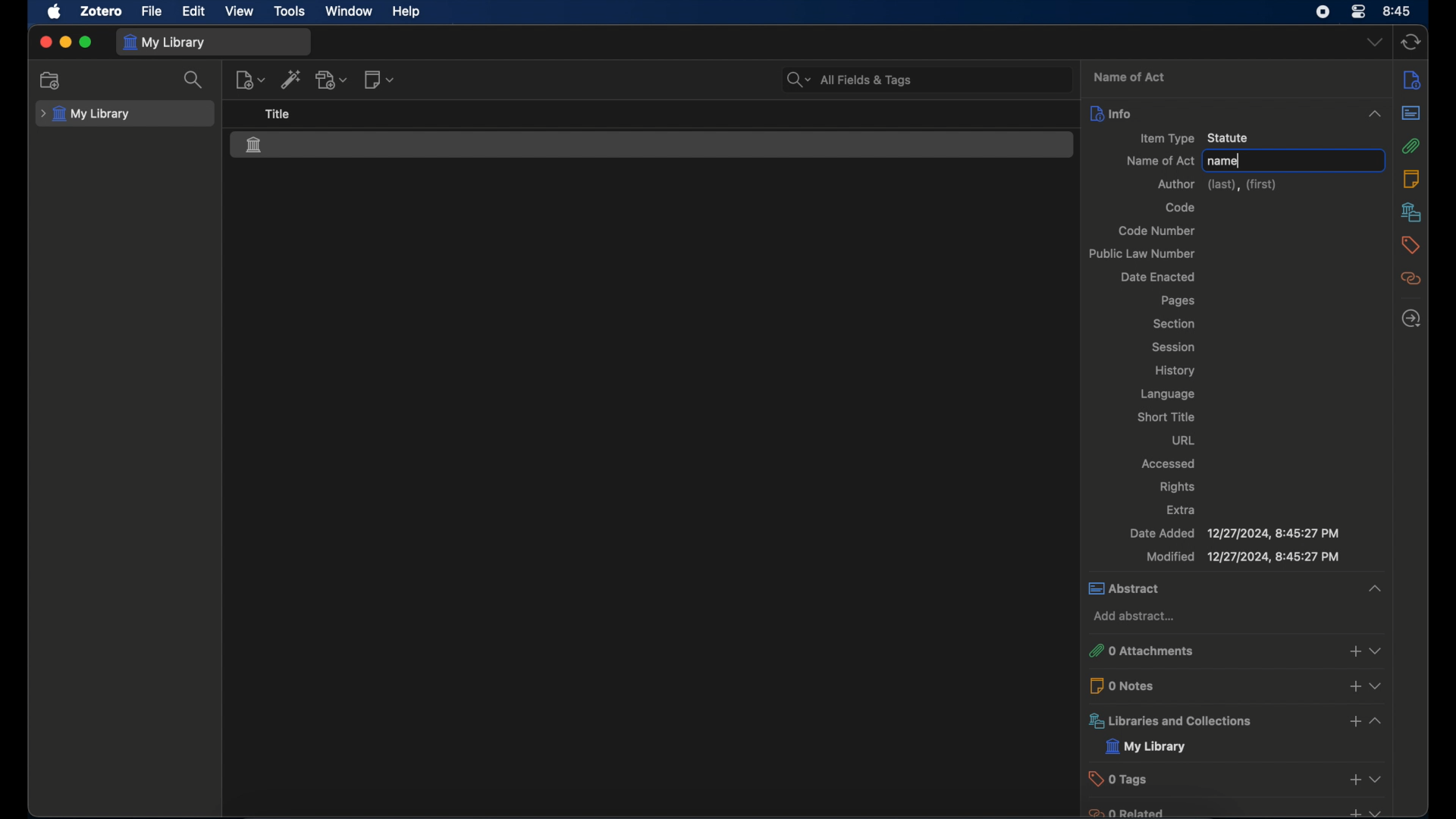 The width and height of the screenshot is (1456, 819). What do you see at coordinates (1353, 686) in the screenshot?
I see `add notes` at bounding box center [1353, 686].